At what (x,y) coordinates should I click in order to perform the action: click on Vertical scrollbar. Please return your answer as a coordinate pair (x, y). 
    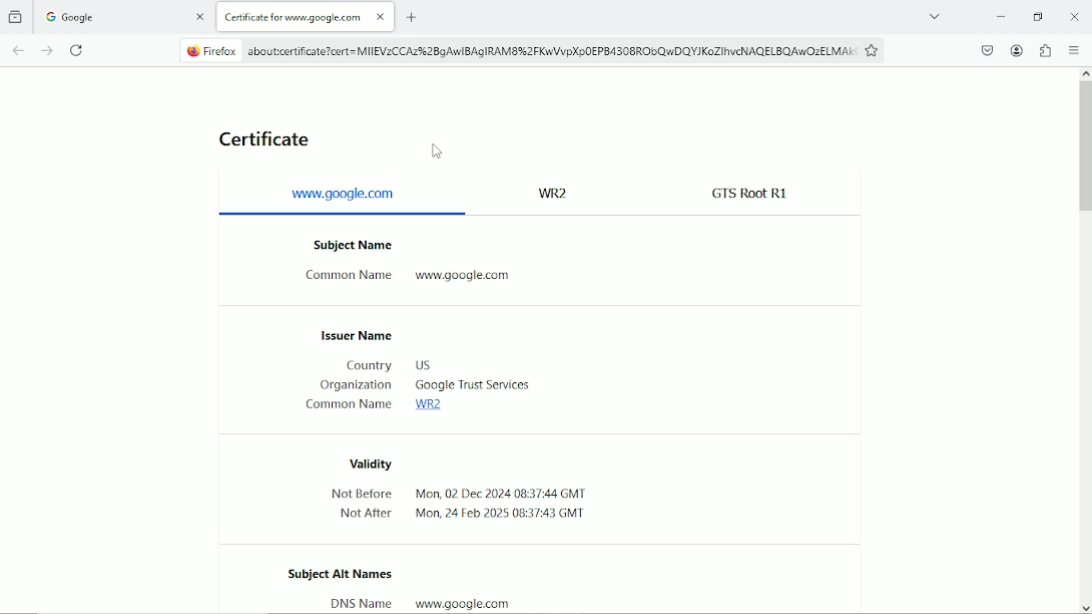
    Looking at the image, I should click on (1085, 146).